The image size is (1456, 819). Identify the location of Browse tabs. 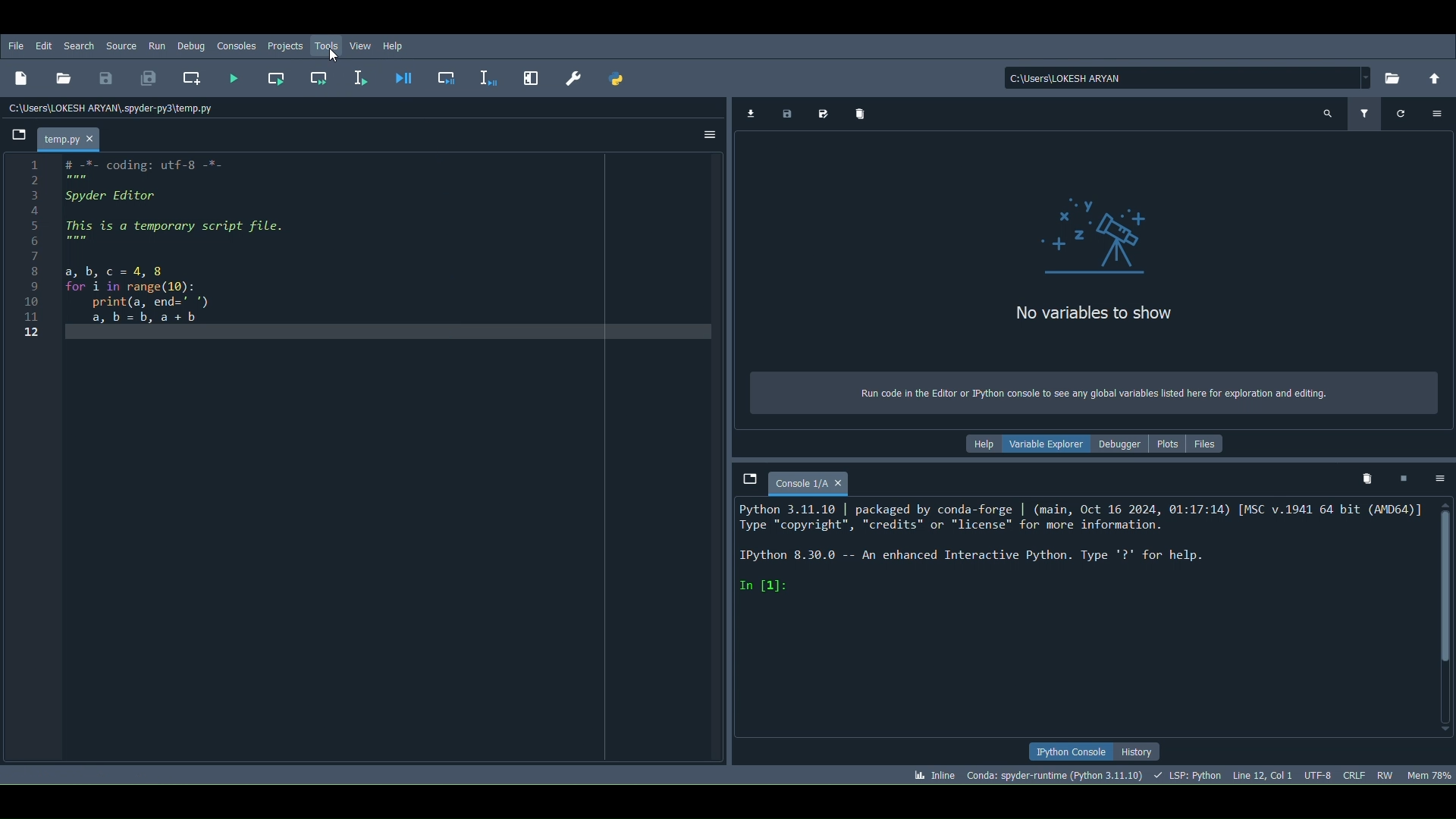
(750, 479).